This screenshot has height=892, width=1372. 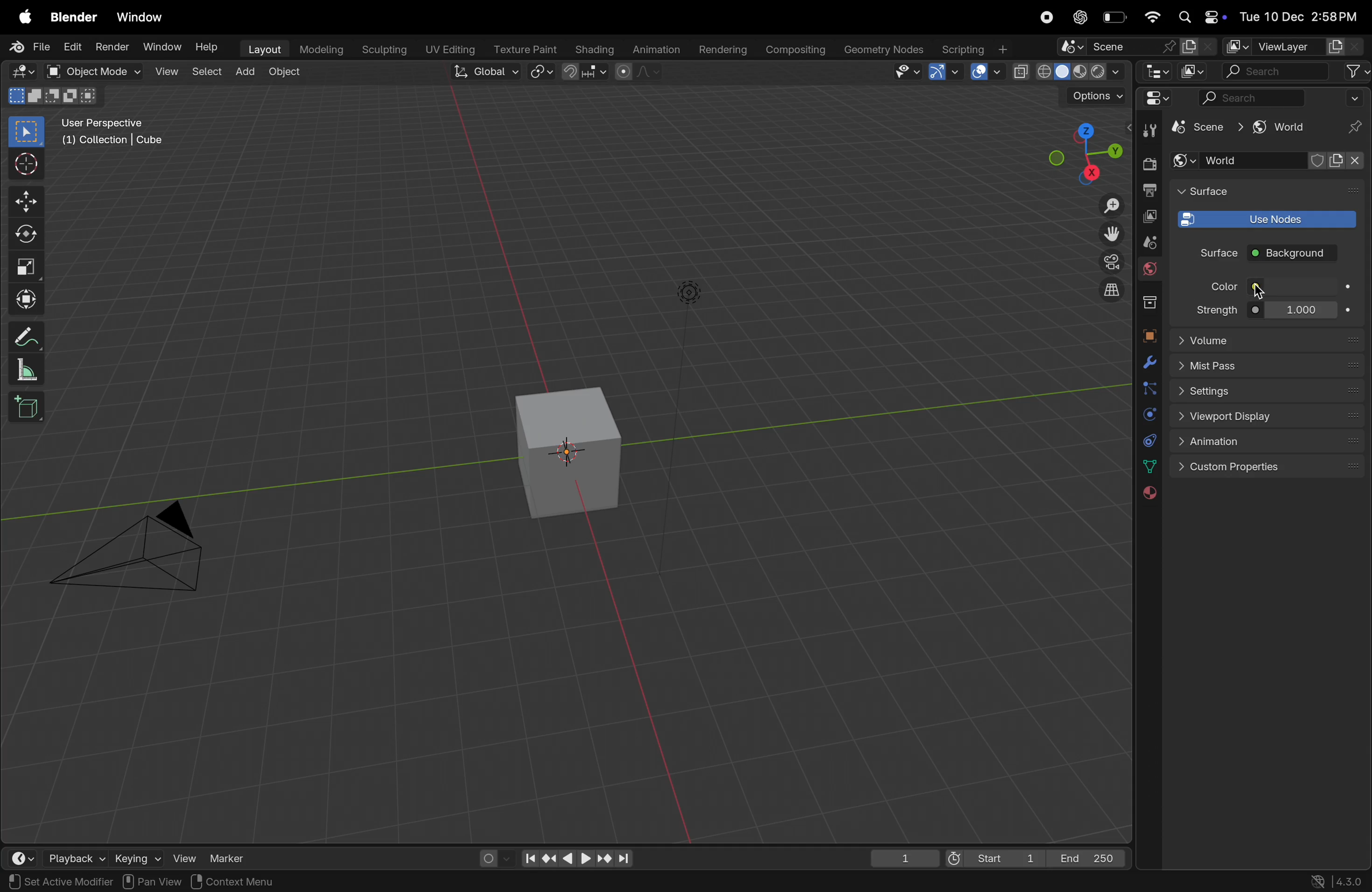 What do you see at coordinates (165, 71) in the screenshot?
I see `view` at bounding box center [165, 71].